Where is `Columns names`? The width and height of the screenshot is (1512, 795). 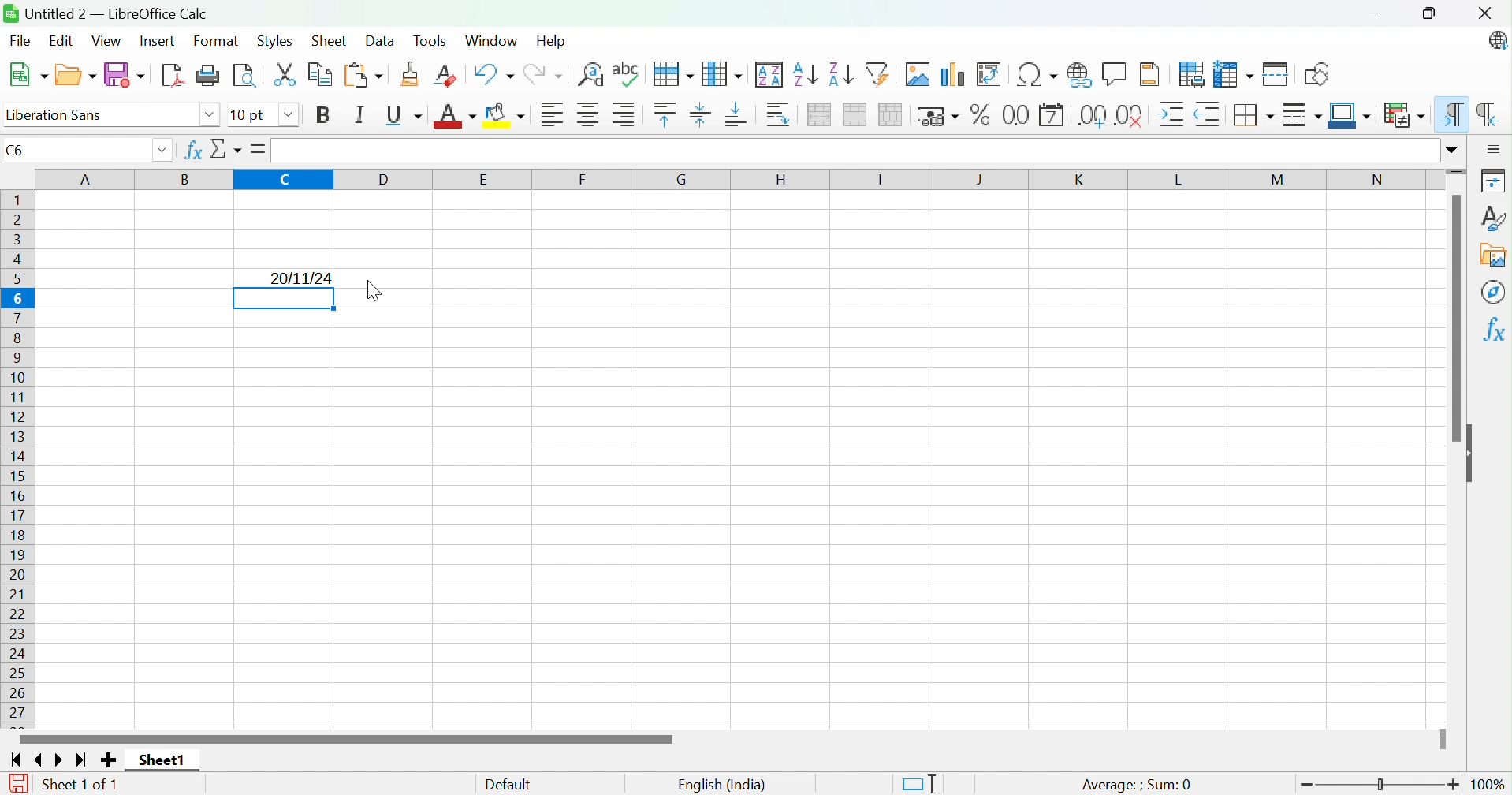
Columns names is located at coordinates (738, 181).